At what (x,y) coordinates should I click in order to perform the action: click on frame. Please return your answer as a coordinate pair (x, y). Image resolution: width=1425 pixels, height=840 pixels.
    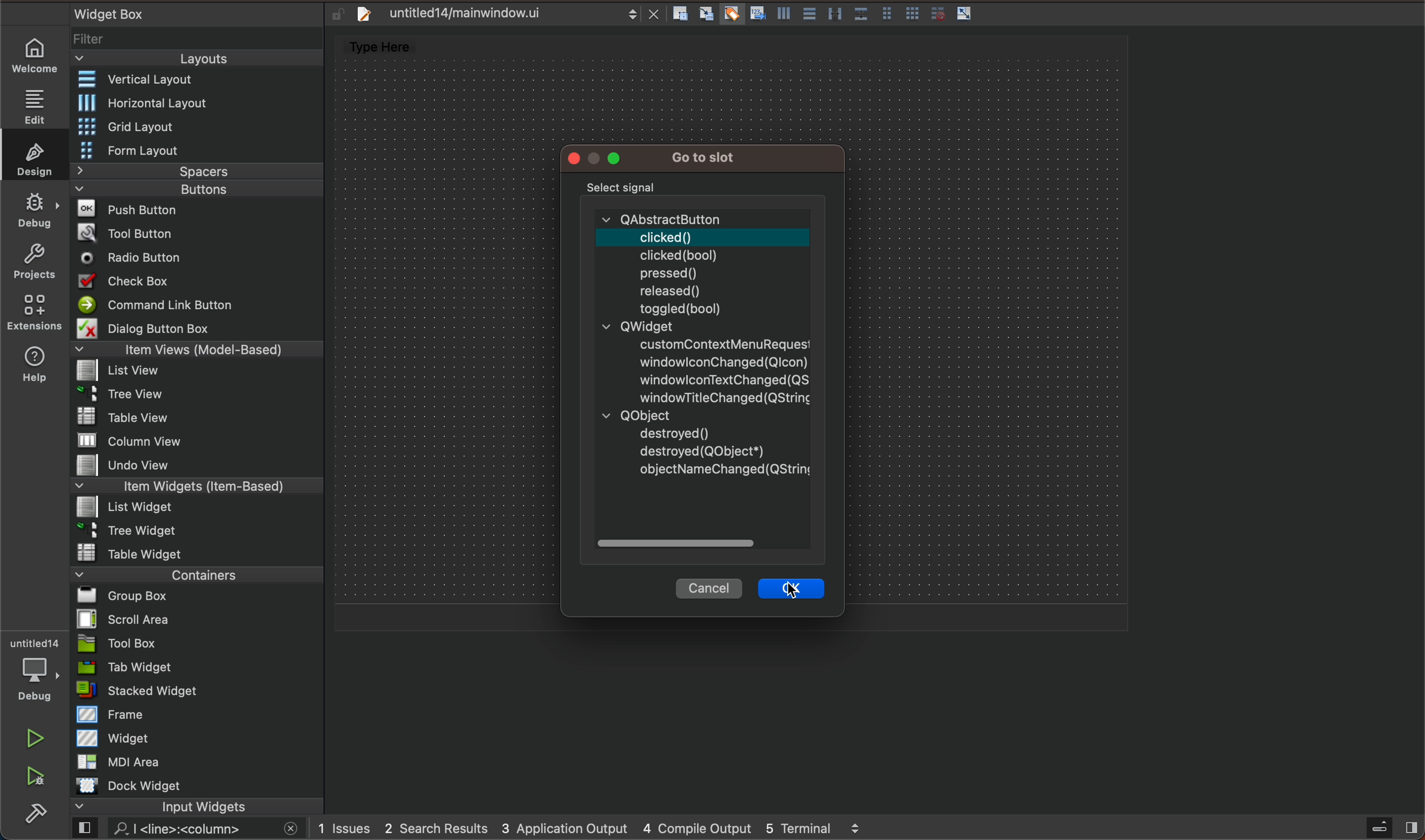
    Looking at the image, I should click on (198, 716).